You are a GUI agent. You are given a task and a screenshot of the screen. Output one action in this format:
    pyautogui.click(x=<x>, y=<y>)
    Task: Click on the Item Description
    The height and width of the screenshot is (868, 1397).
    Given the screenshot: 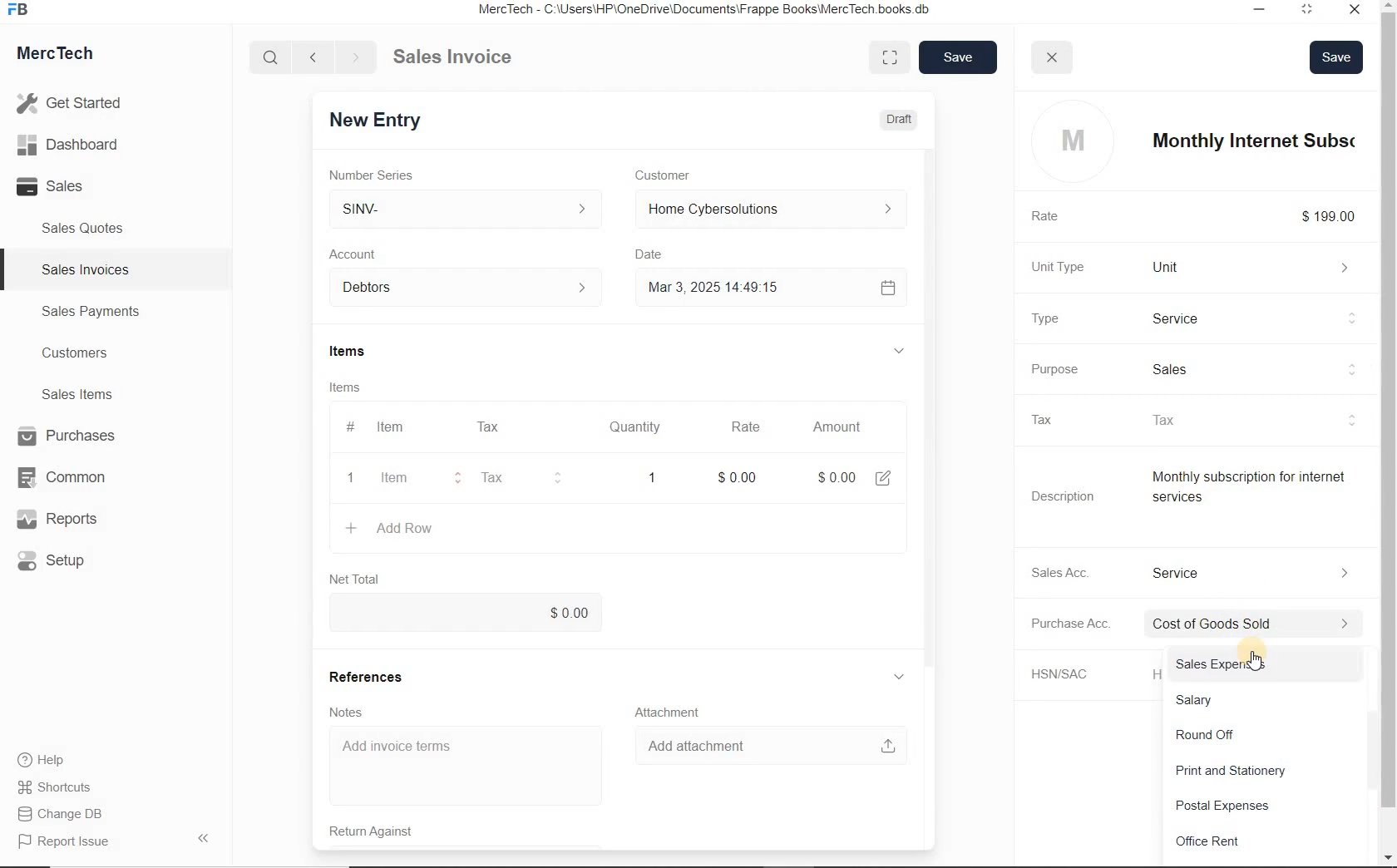 What is the action you would take?
    pyautogui.click(x=1262, y=494)
    